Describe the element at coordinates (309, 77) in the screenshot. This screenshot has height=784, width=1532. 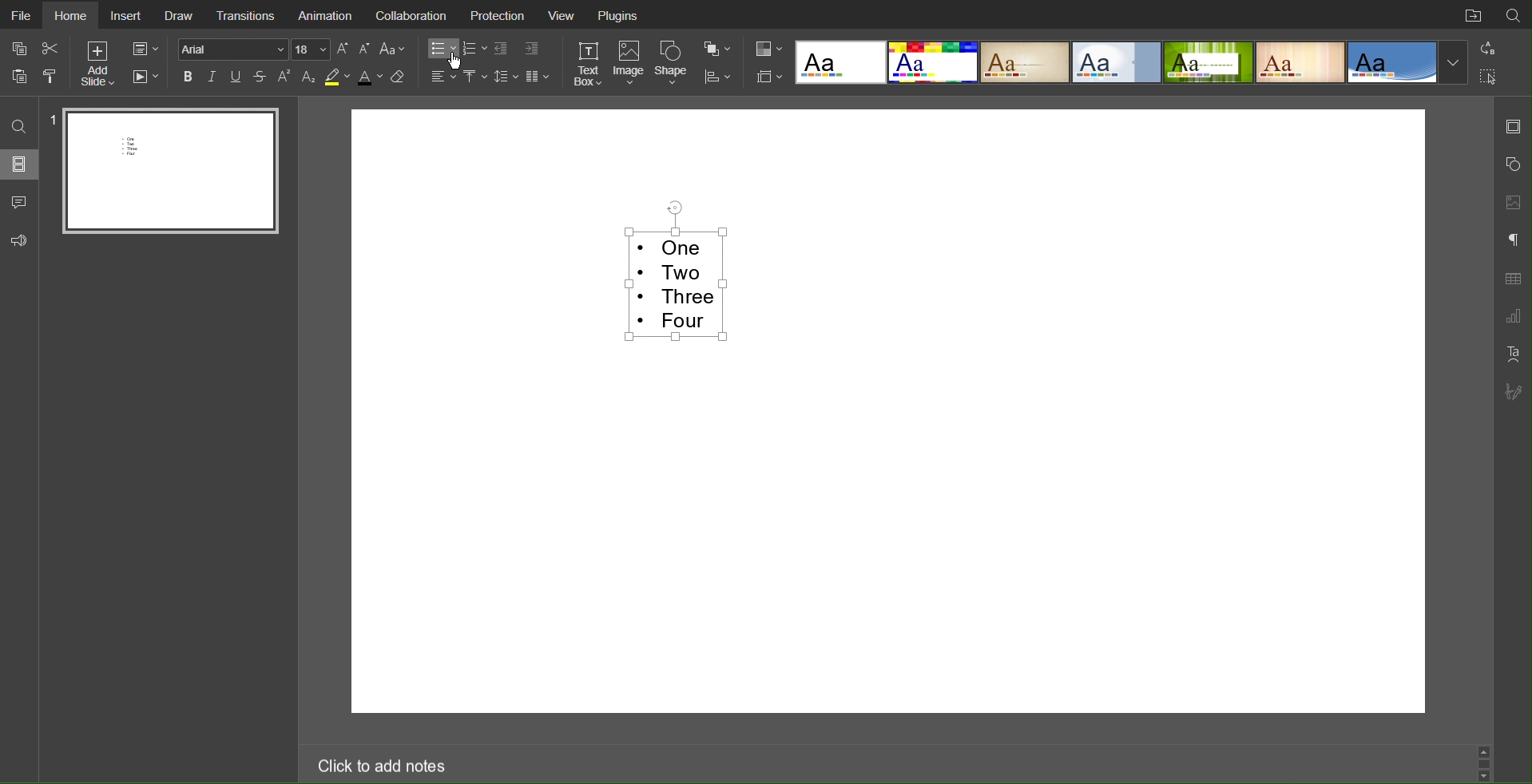
I see `Subscript` at that location.